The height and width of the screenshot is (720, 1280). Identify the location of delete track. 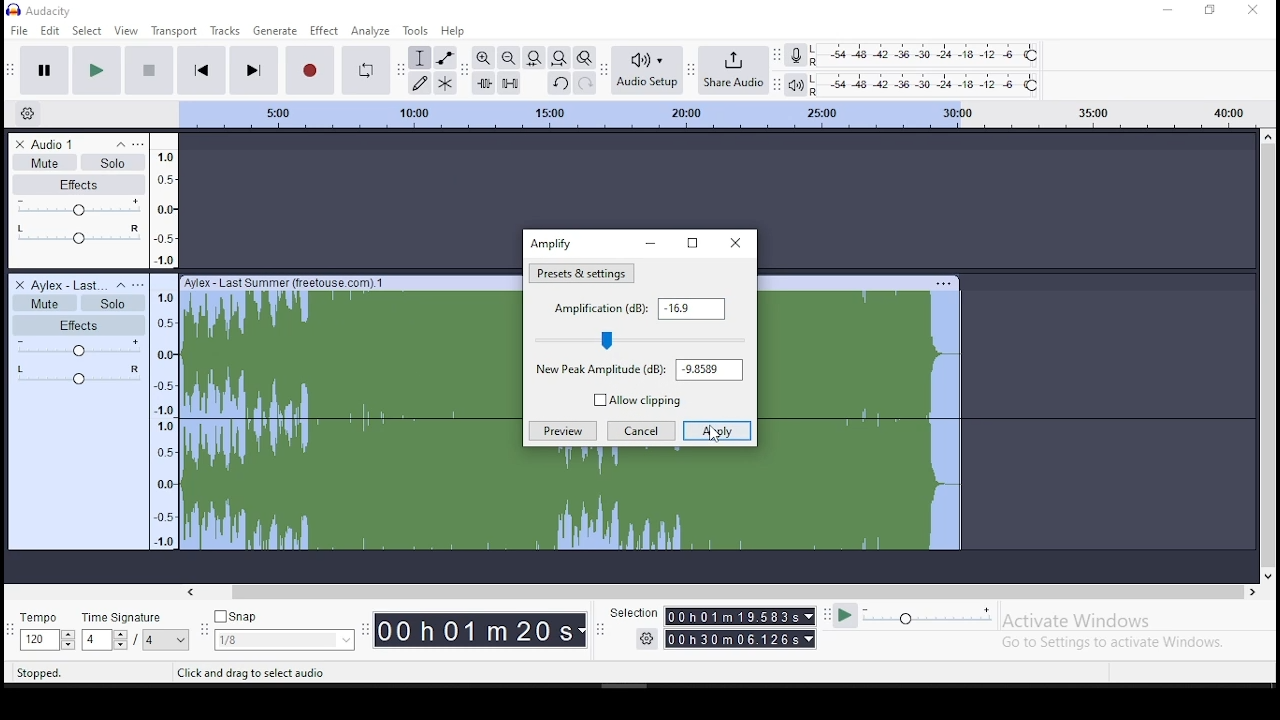
(16, 284).